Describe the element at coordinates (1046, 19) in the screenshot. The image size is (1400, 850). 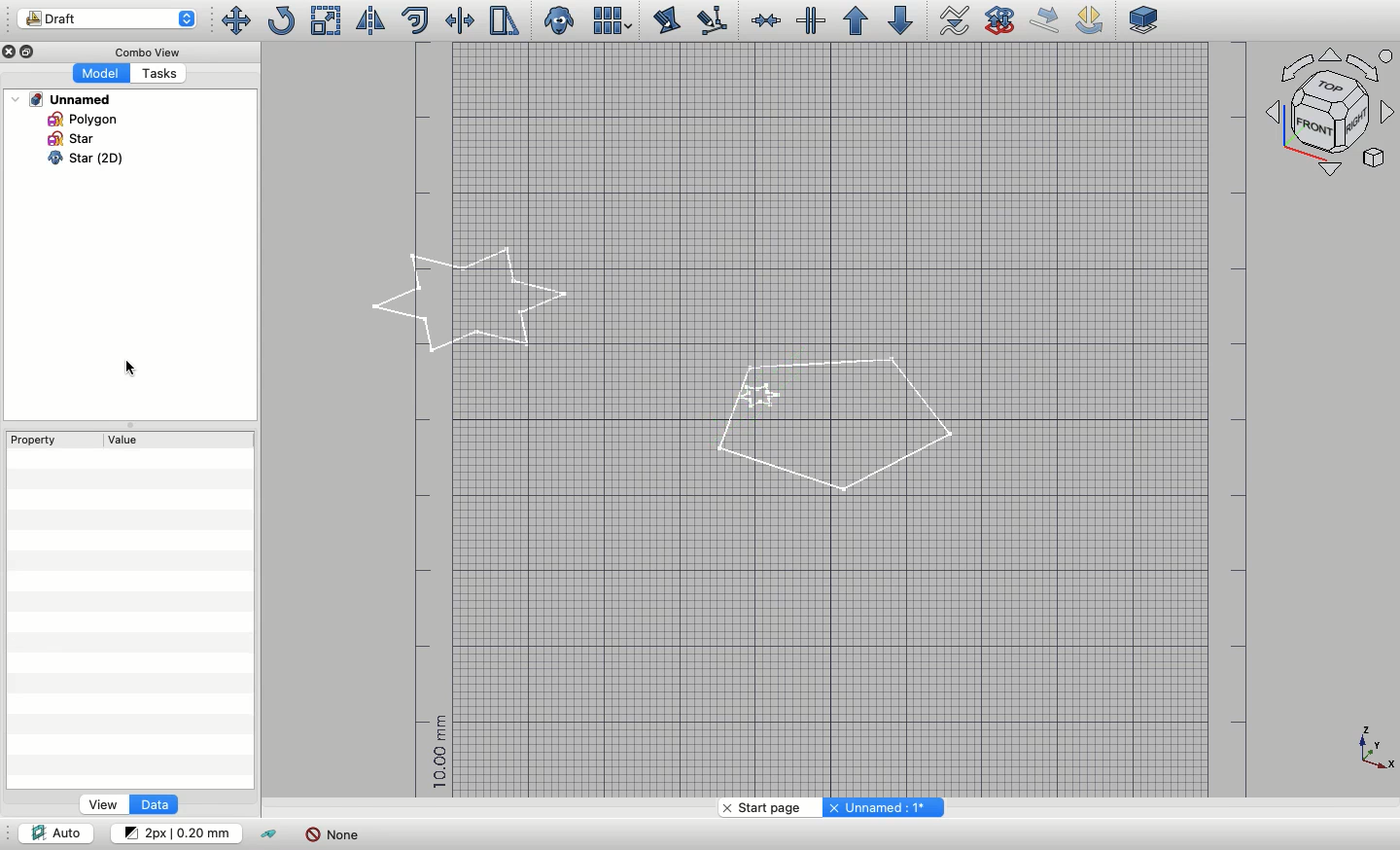
I see `Draft move` at that location.